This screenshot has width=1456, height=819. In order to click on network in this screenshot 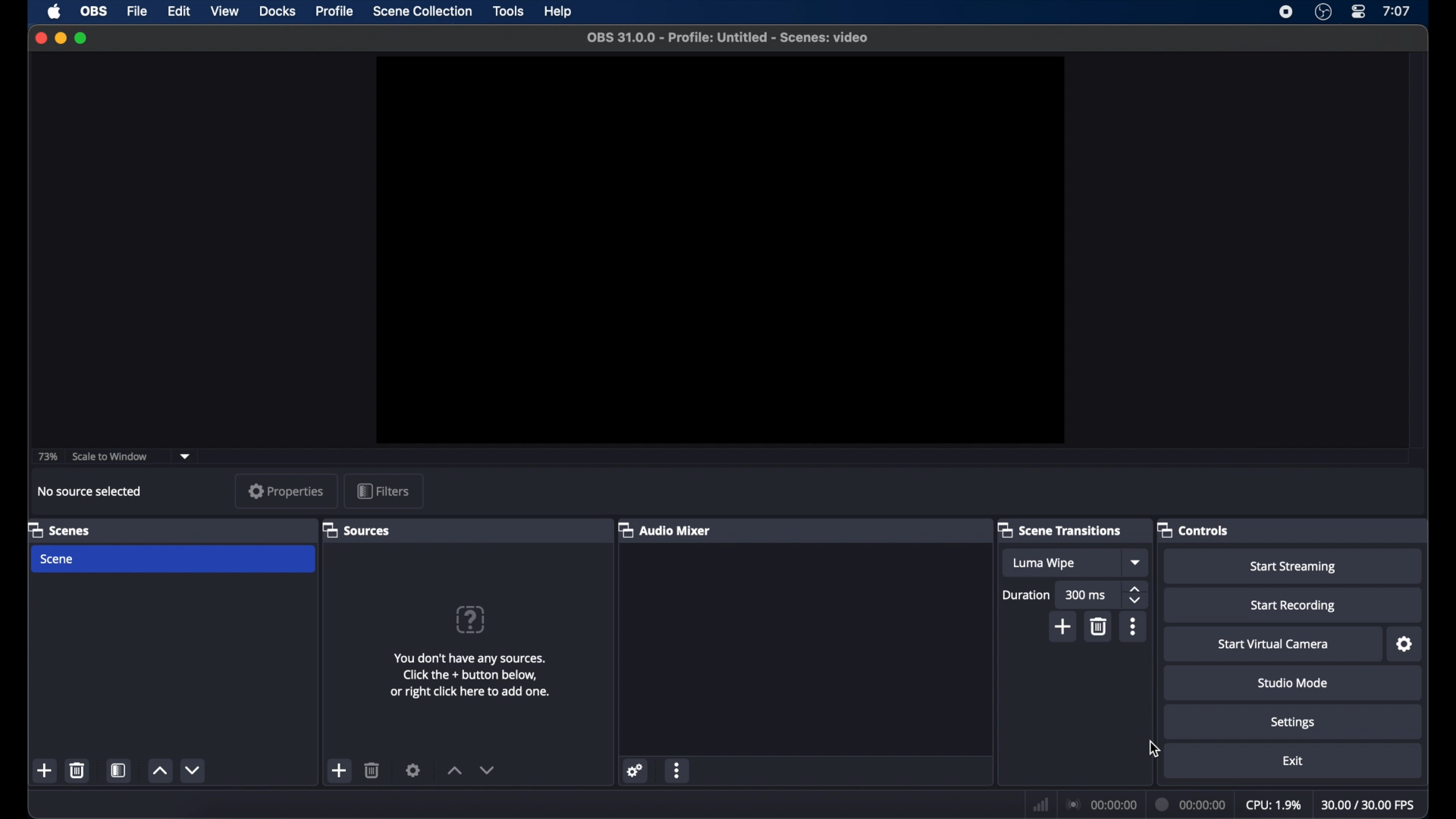, I will do `click(1041, 803)`.